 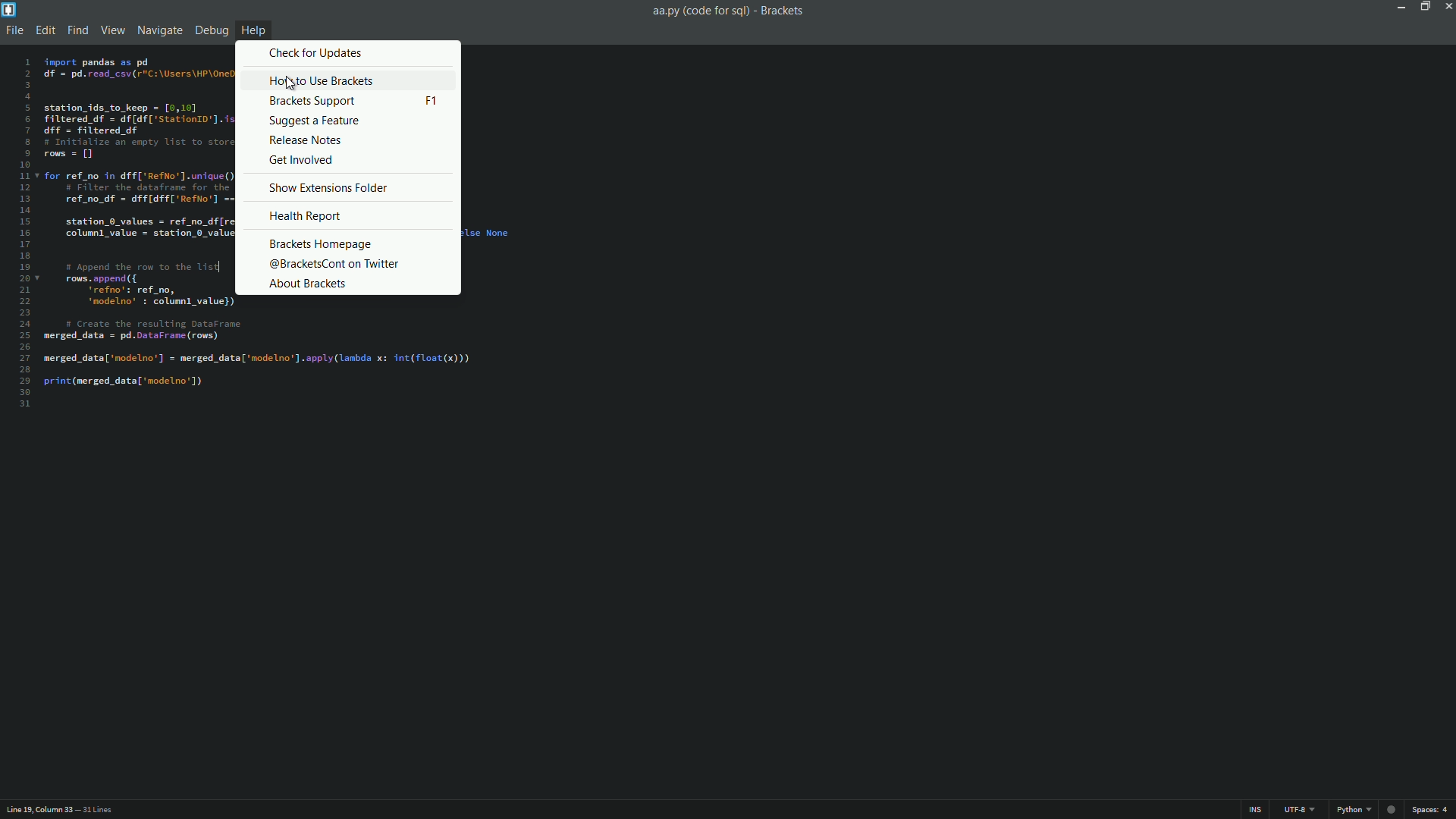 I want to click on cursor, so click(x=290, y=83).